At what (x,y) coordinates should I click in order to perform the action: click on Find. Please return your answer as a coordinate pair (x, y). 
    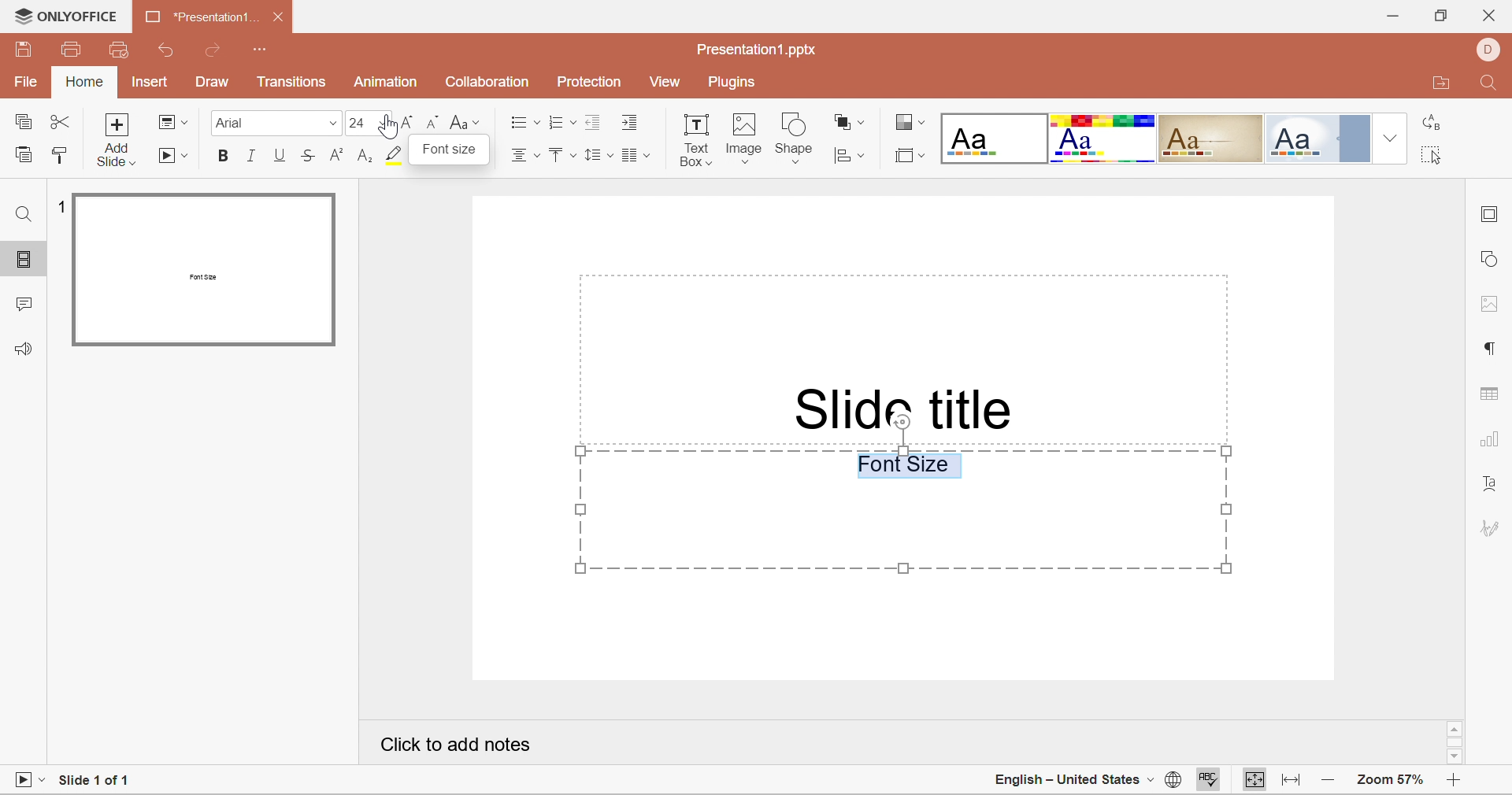
    Looking at the image, I should click on (1492, 83).